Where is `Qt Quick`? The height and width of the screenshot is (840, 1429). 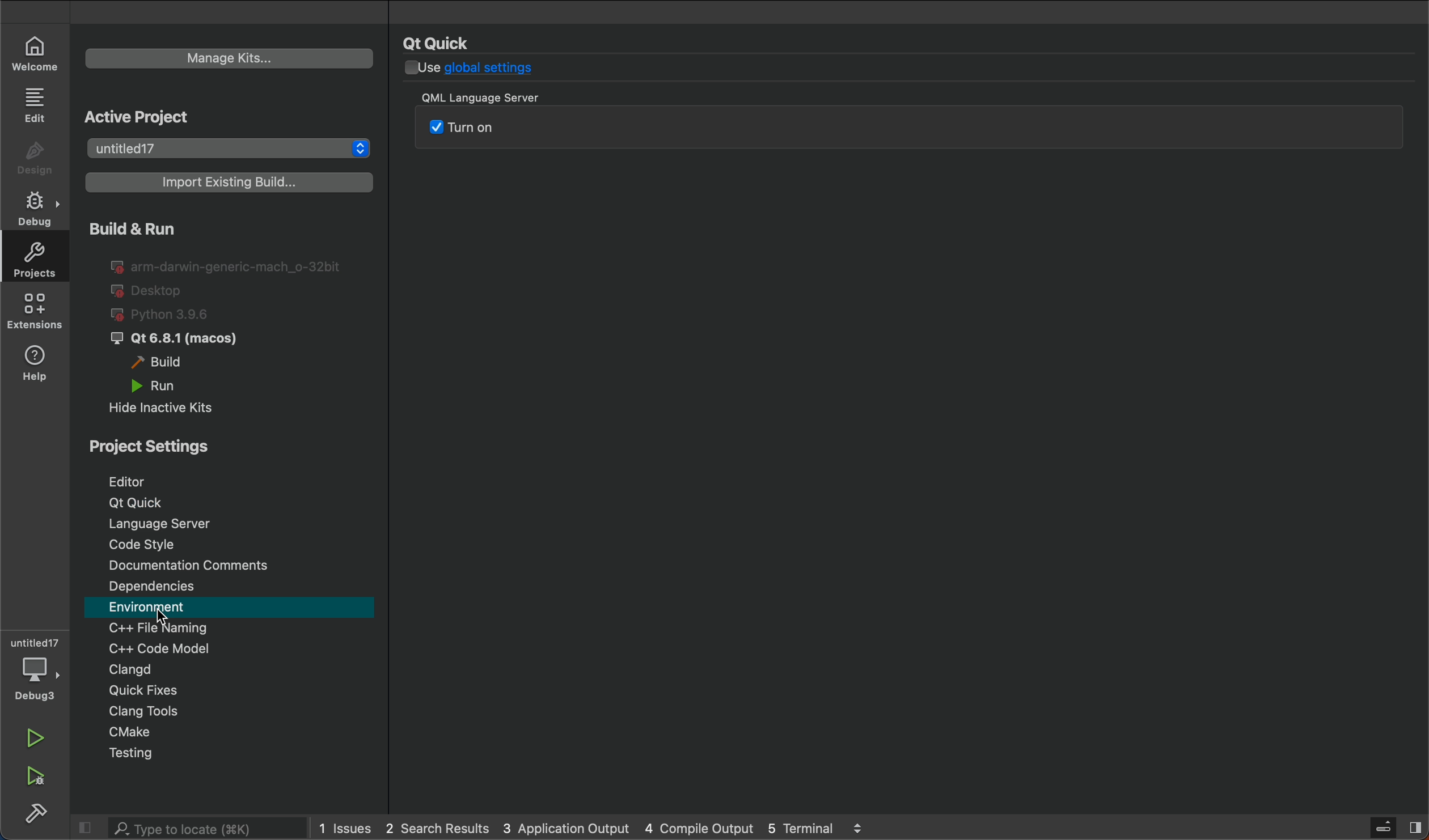
Qt Quick is located at coordinates (441, 43).